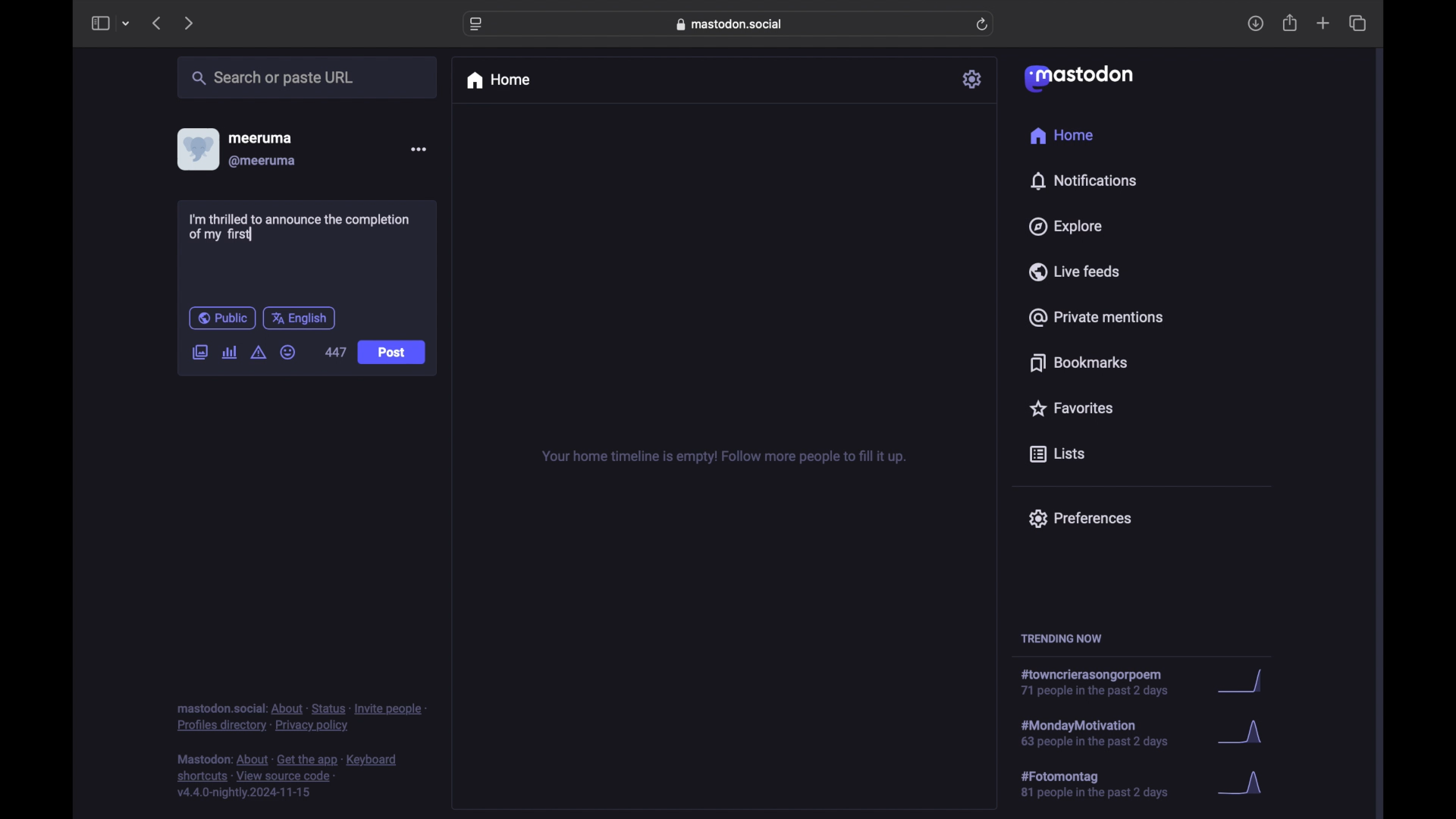 The image size is (1456, 819). What do you see at coordinates (1066, 227) in the screenshot?
I see `explore` at bounding box center [1066, 227].